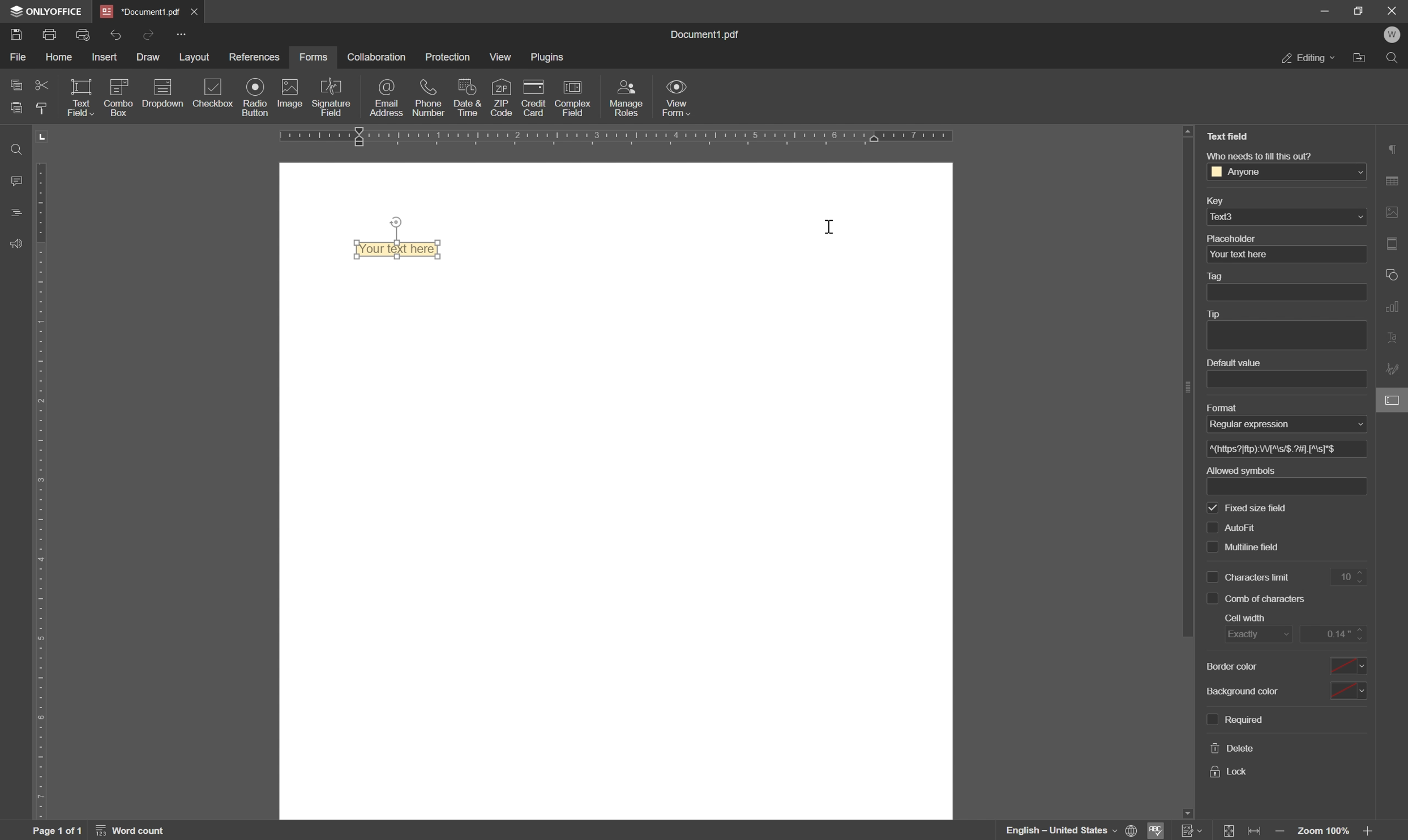 The width and height of the screenshot is (1408, 840). I want to click on headings, so click(13, 213).